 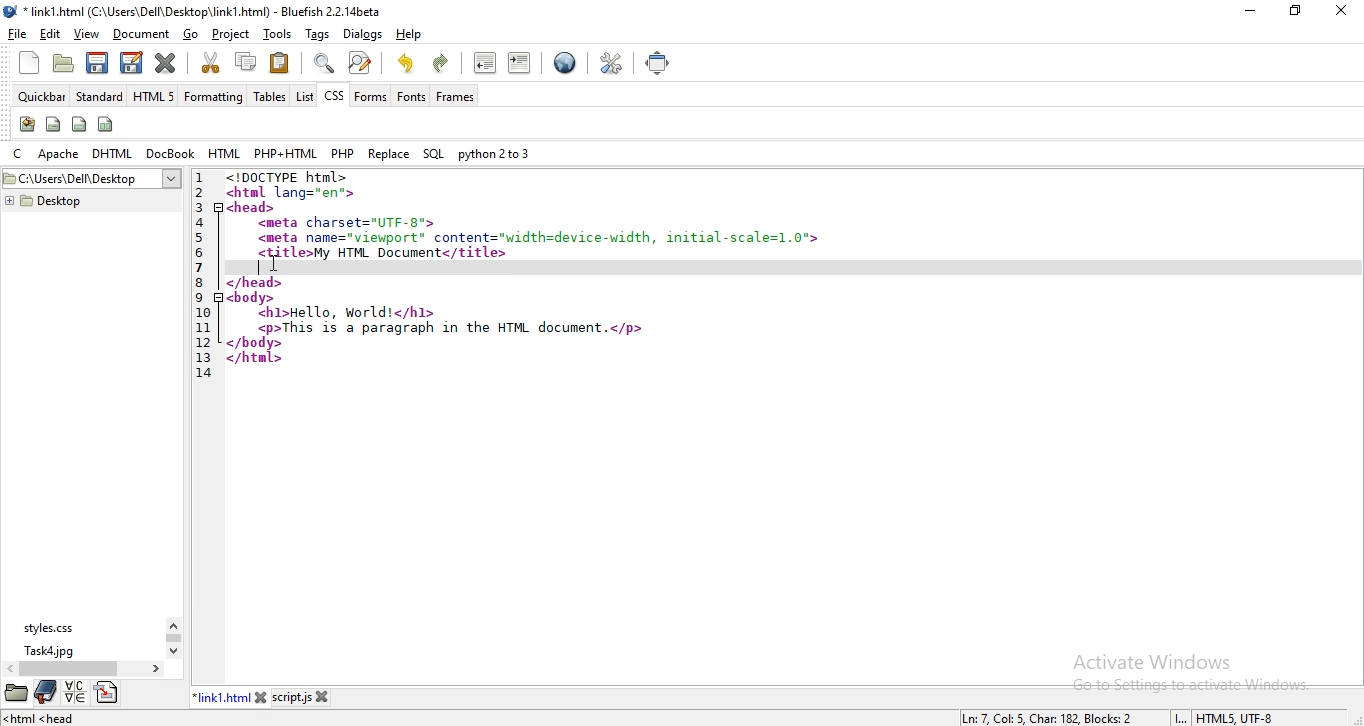 What do you see at coordinates (61, 64) in the screenshot?
I see `open file` at bounding box center [61, 64].